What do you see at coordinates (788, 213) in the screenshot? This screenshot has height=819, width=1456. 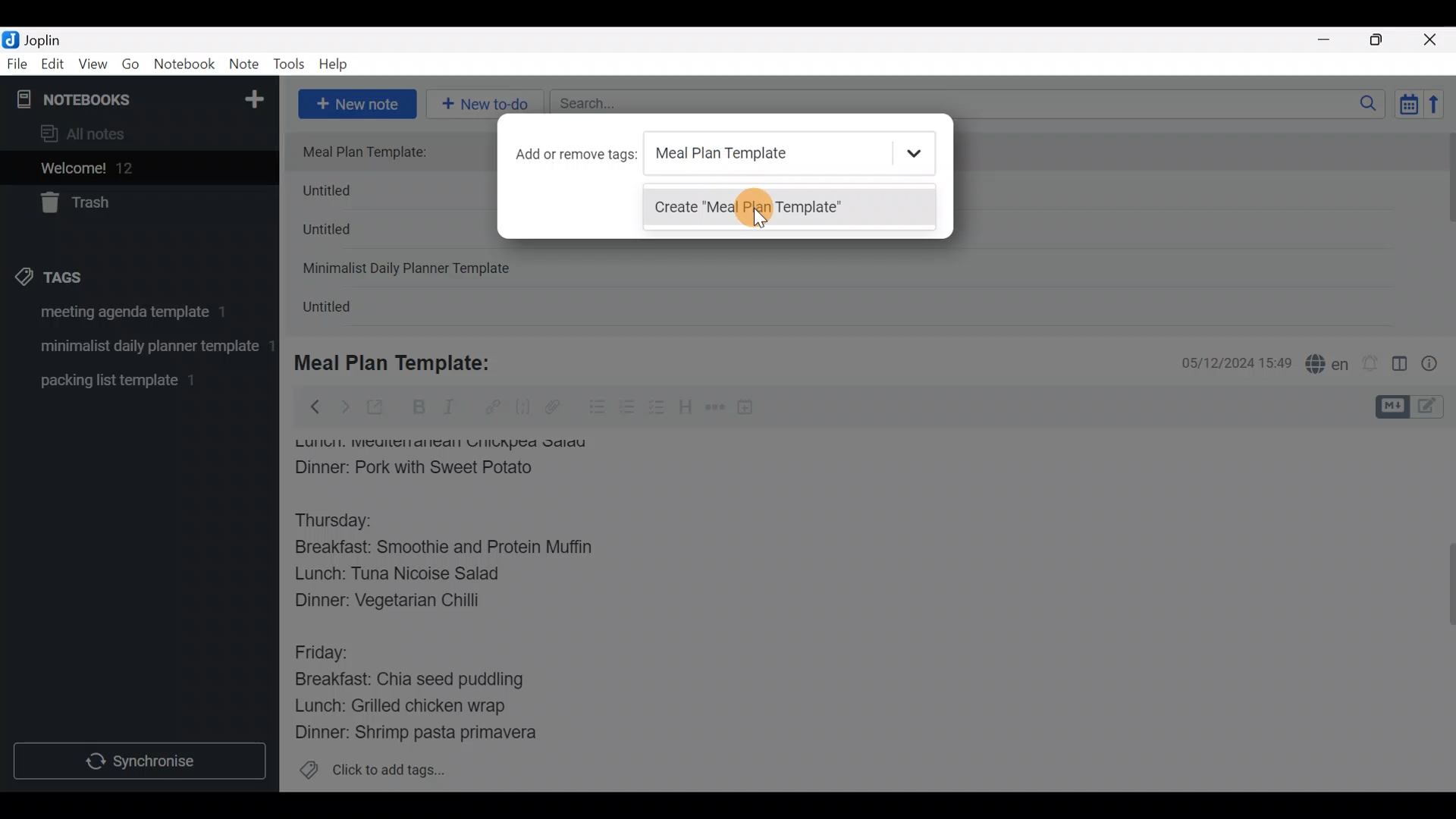 I see `Create "Meal Plan Template"` at bounding box center [788, 213].